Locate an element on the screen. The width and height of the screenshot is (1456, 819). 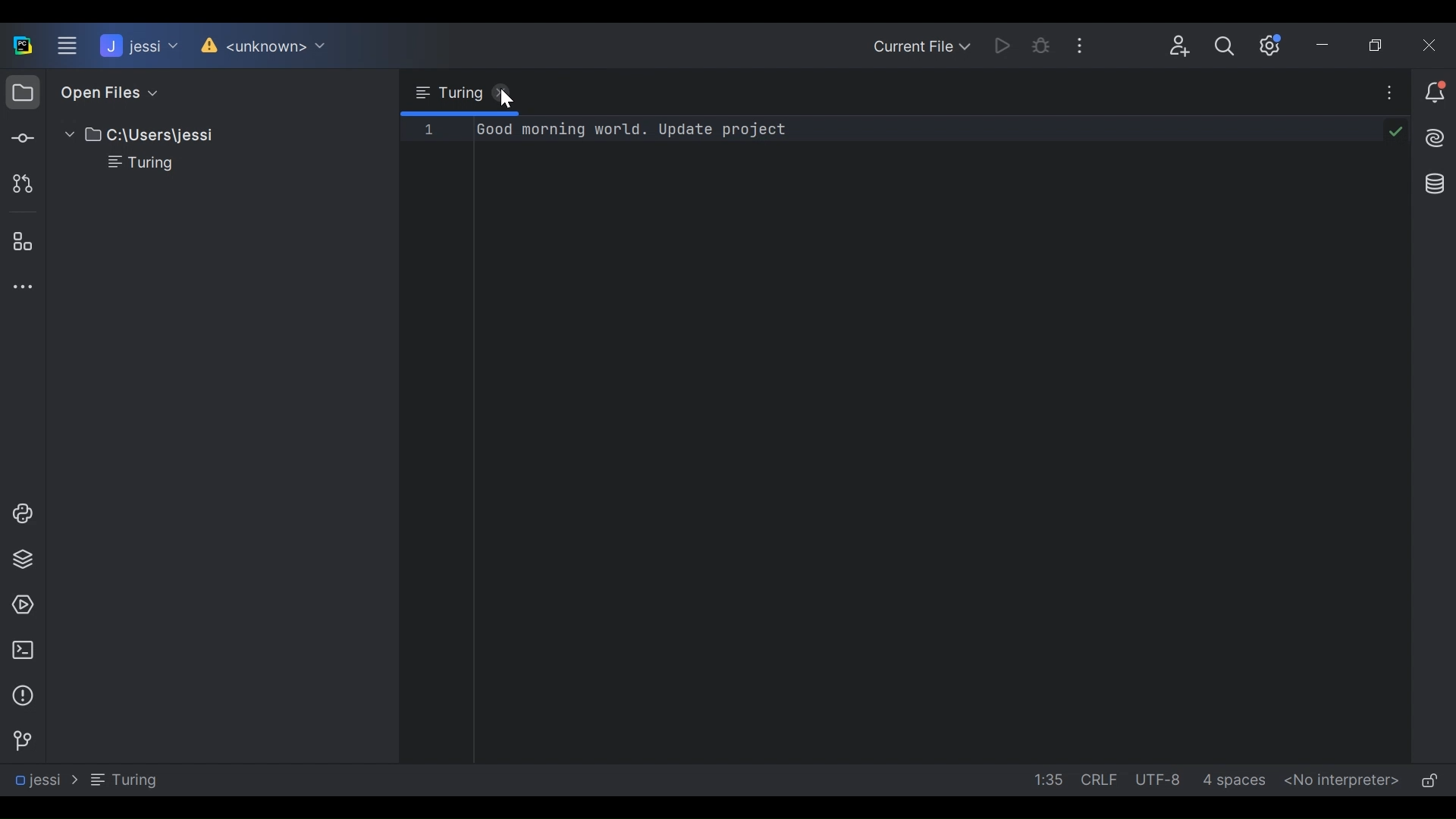
Project Directory is located at coordinates (132, 136).